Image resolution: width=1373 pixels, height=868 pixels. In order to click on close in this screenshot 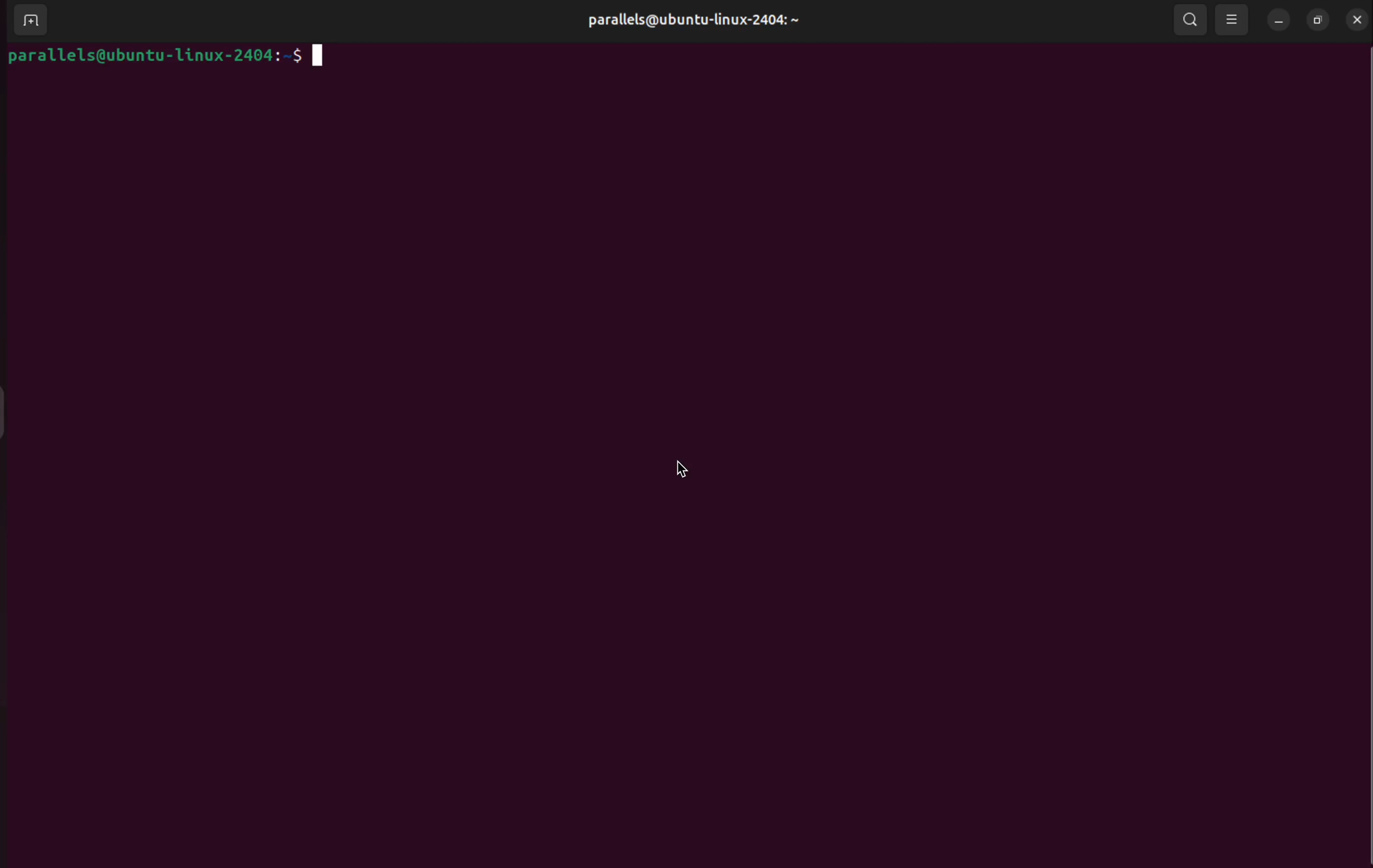, I will do `click(1354, 19)`.